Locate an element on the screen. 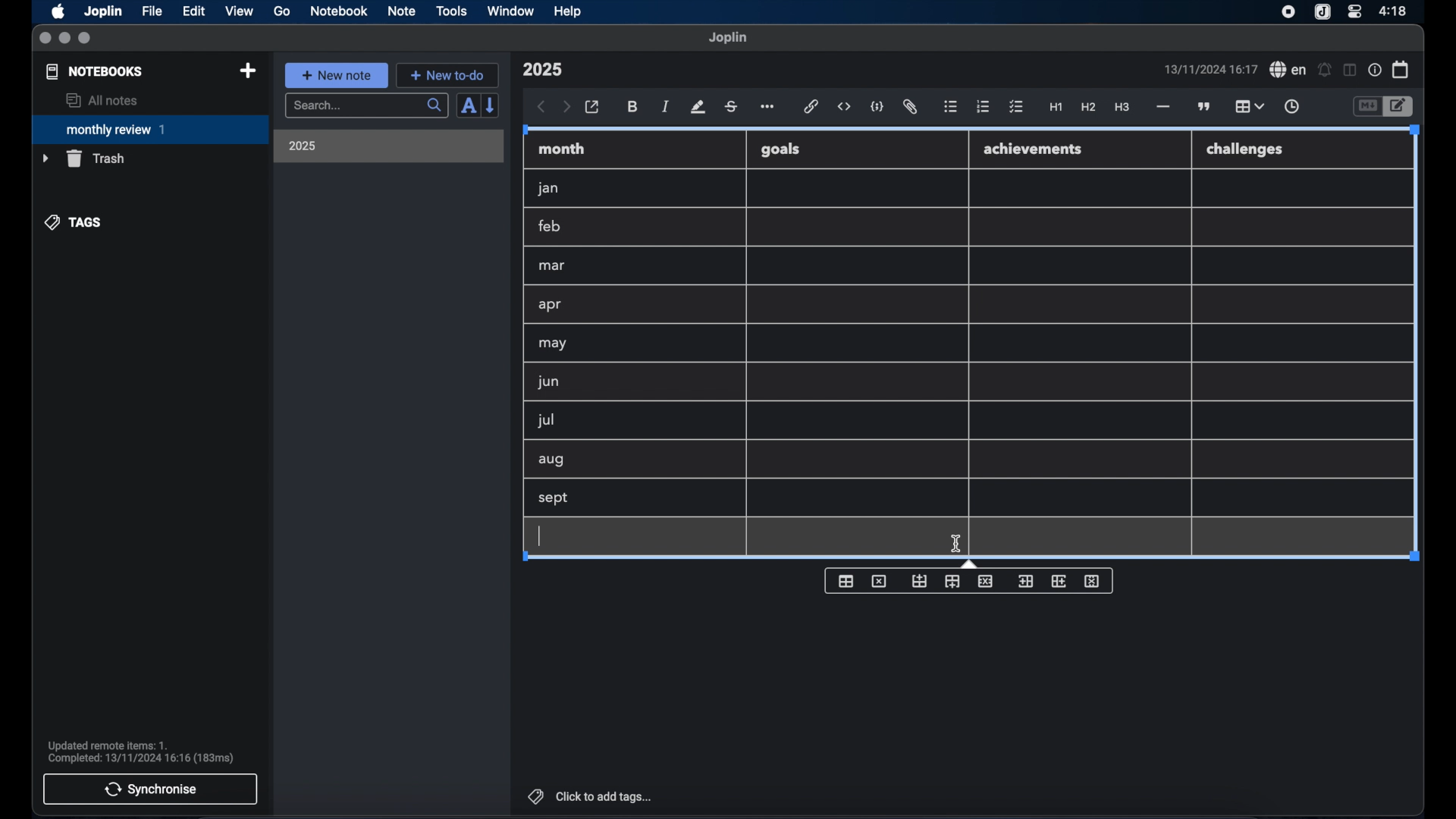 The width and height of the screenshot is (1456, 819). back is located at coordinates (541, 107).